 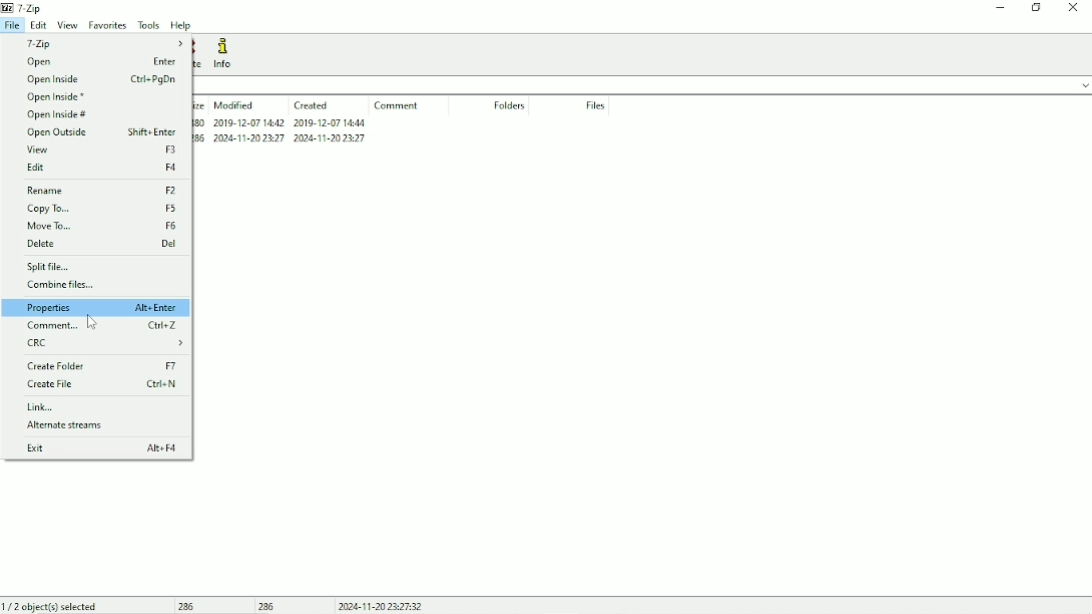 What do you see at coordinates (1074, 8) in the screenshot?
I see `Close` at bounding box center [1074, 8].